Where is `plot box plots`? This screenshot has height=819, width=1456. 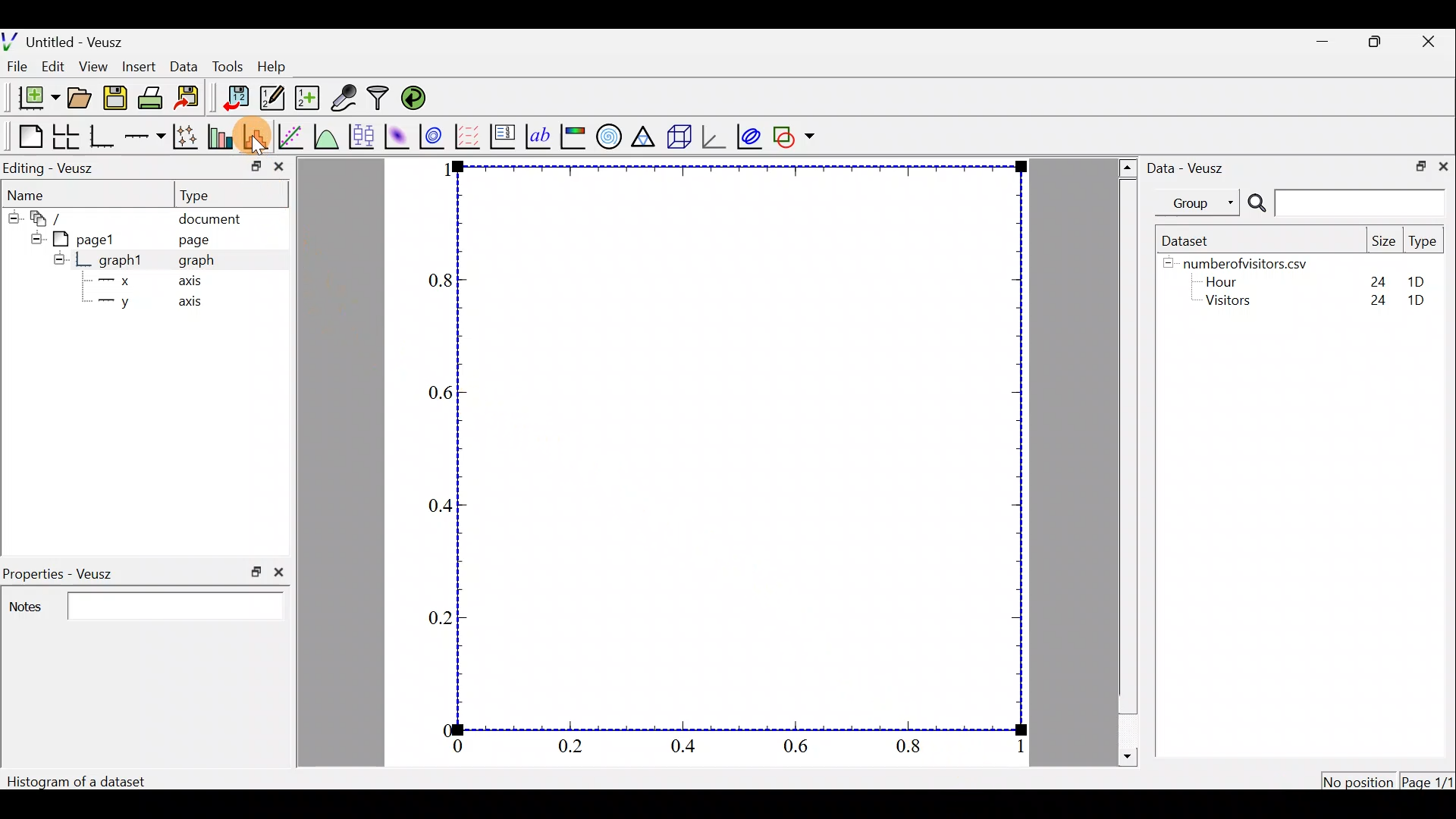 plot box plots is located at coordinates (364, 135).